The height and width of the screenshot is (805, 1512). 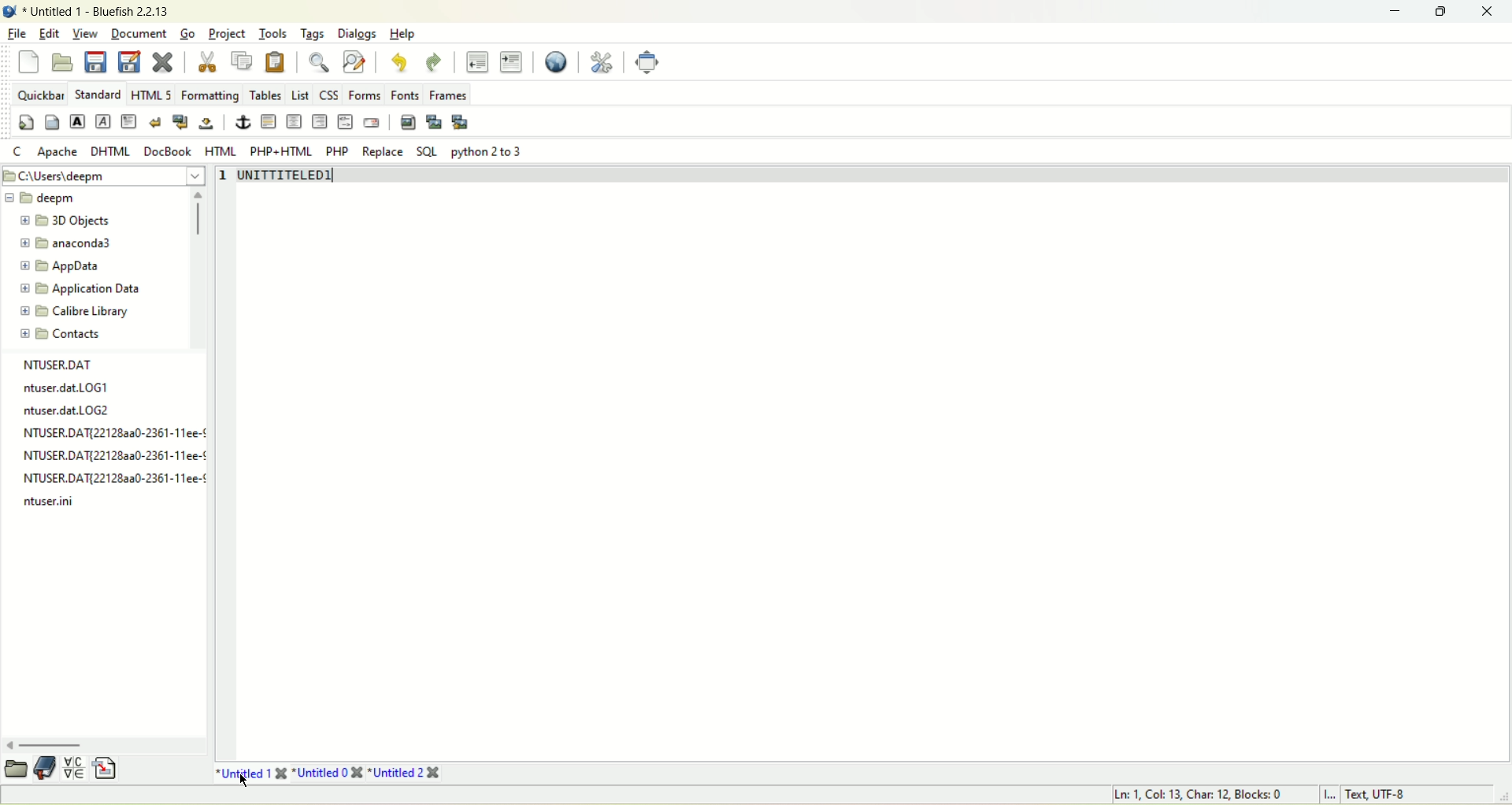 I want to click on file , so click(x=13, y=33).